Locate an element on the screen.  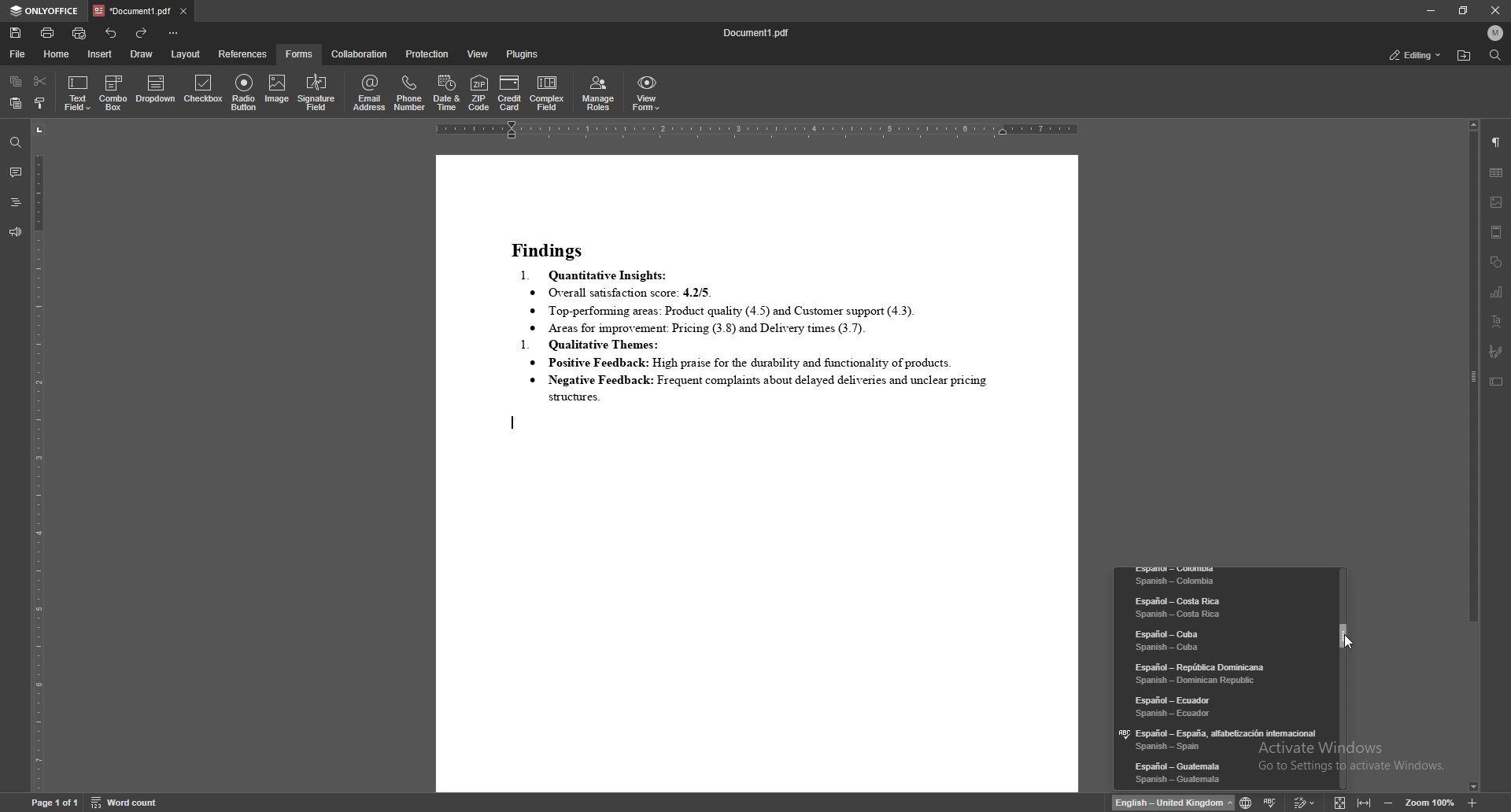
table is located at coordinates (1497, 172).